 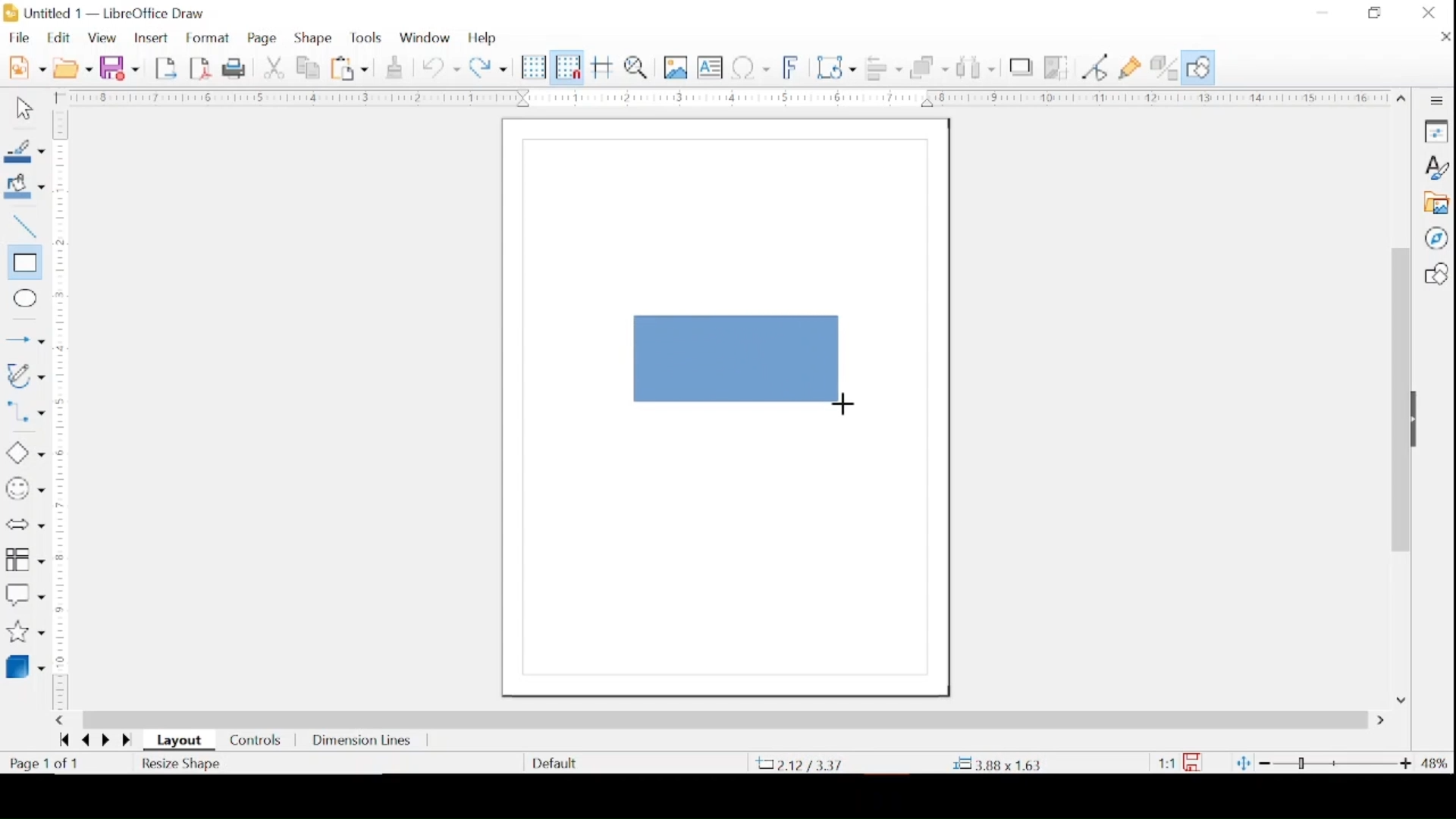 I want to click on diamond, so click(x=24, y=453).